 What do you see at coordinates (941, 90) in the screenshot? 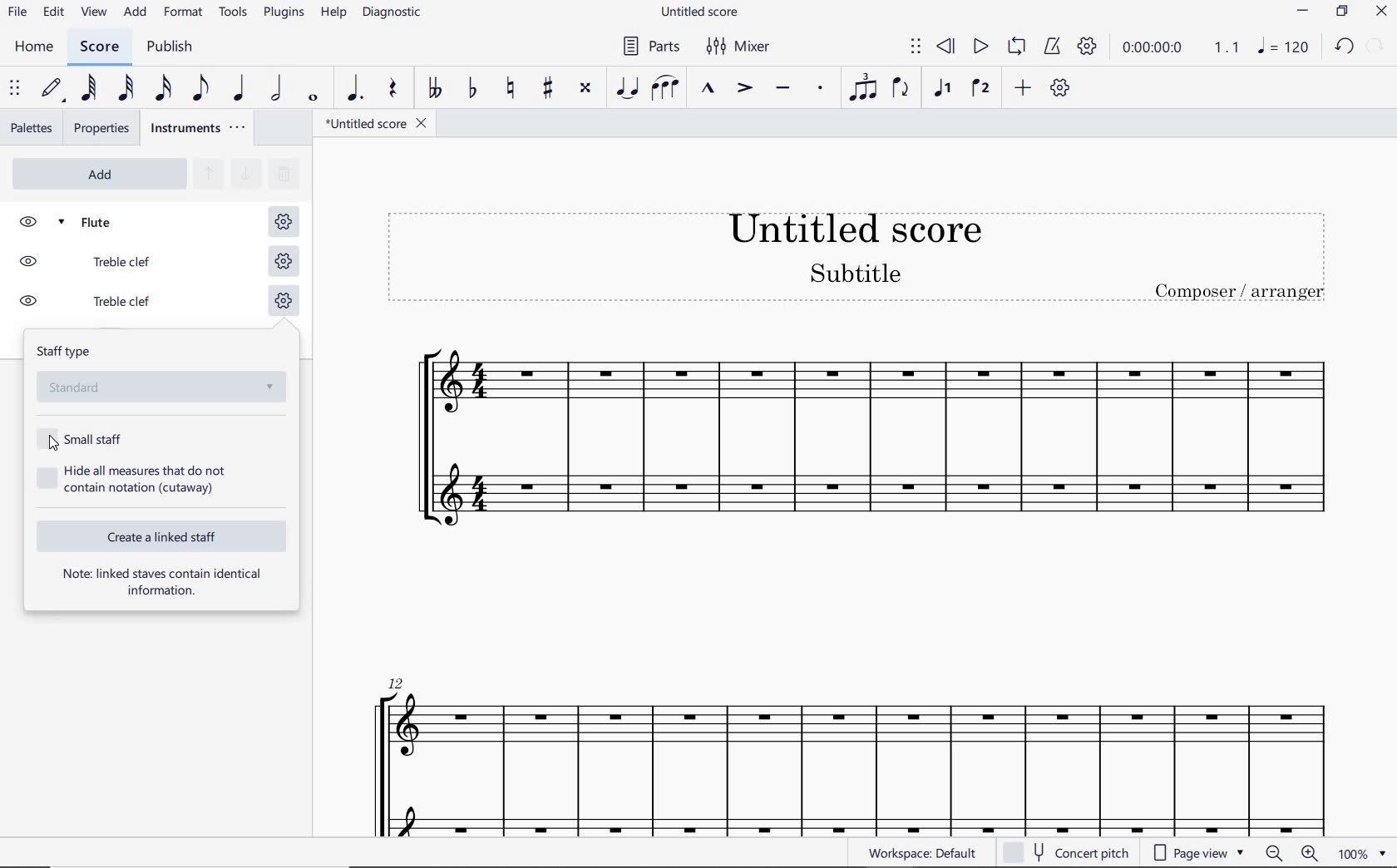
I see `VOICE 1` at bounding box center [941, 90].